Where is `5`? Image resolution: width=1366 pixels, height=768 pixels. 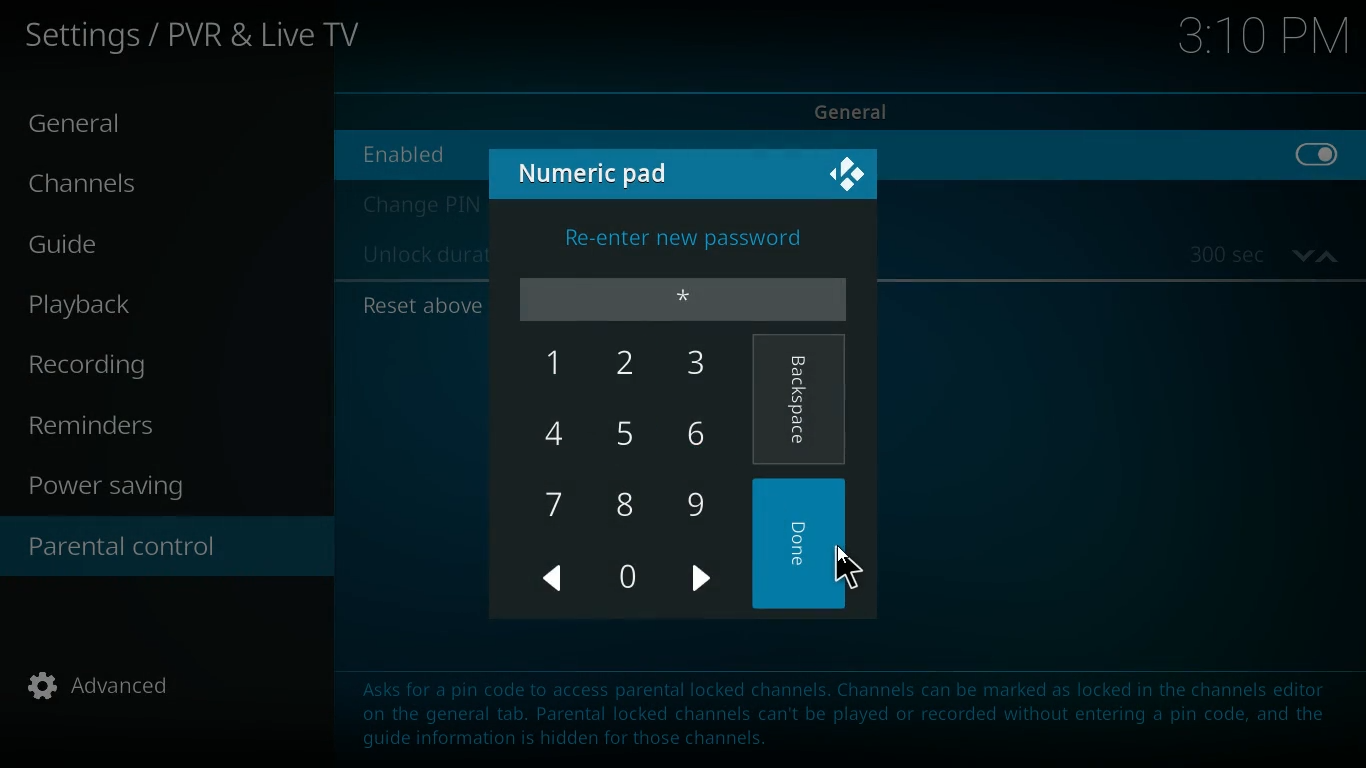
5 is located at coordinates (629, 432).